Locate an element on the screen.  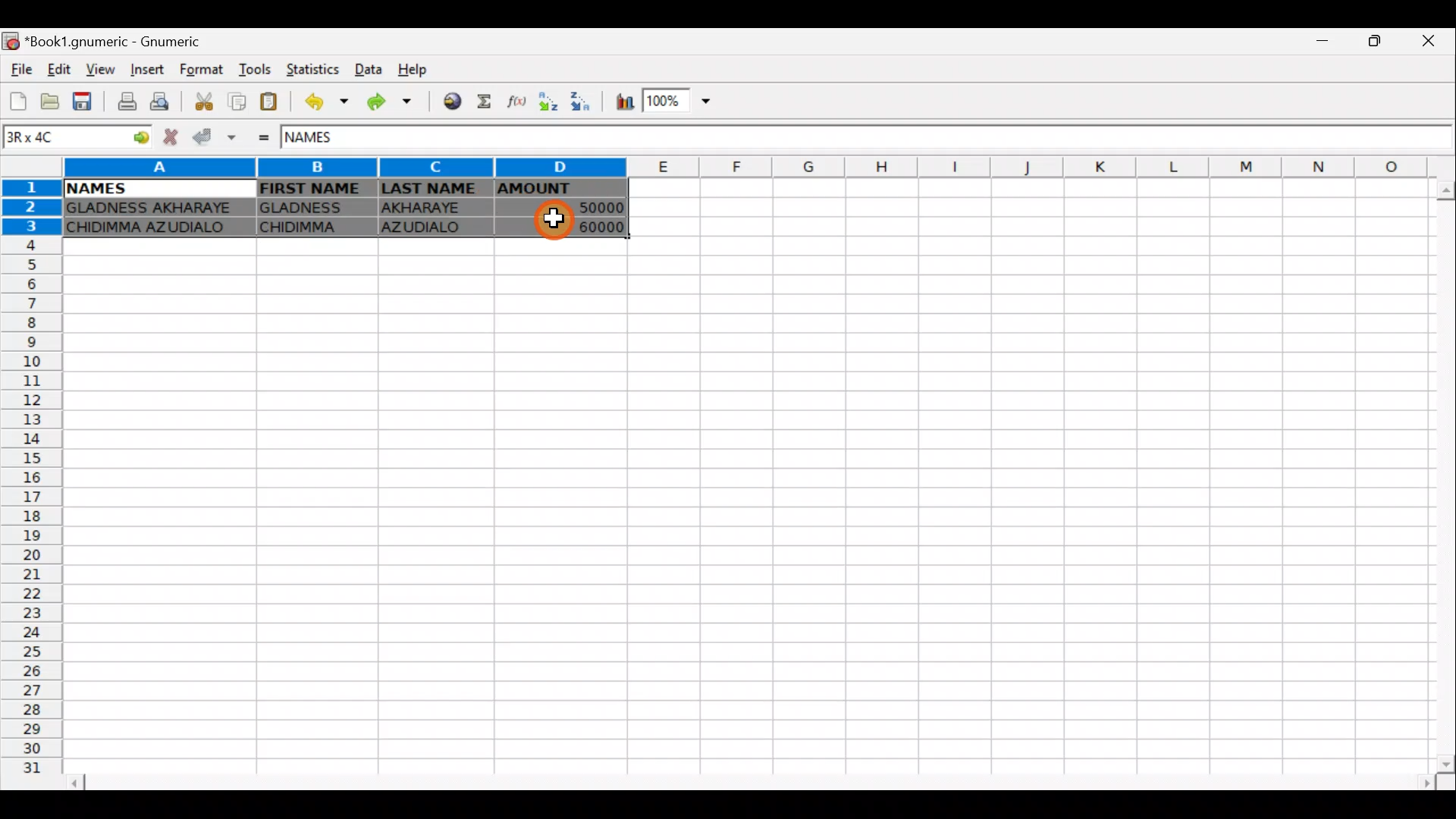
60000 is located at coordinates (586, 226).